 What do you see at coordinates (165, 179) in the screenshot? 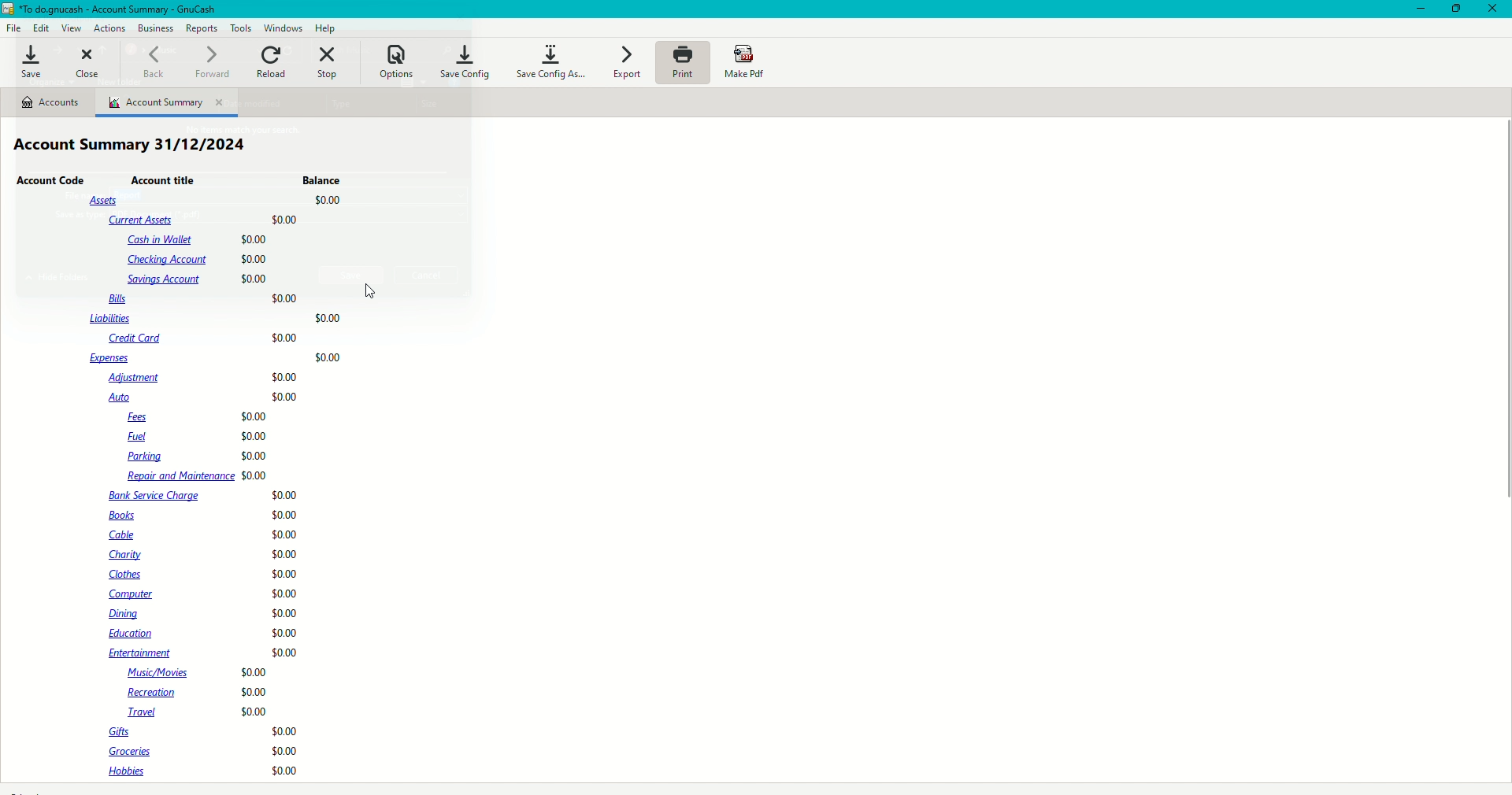
I see `Account Title` at bounding box center [165, 179].